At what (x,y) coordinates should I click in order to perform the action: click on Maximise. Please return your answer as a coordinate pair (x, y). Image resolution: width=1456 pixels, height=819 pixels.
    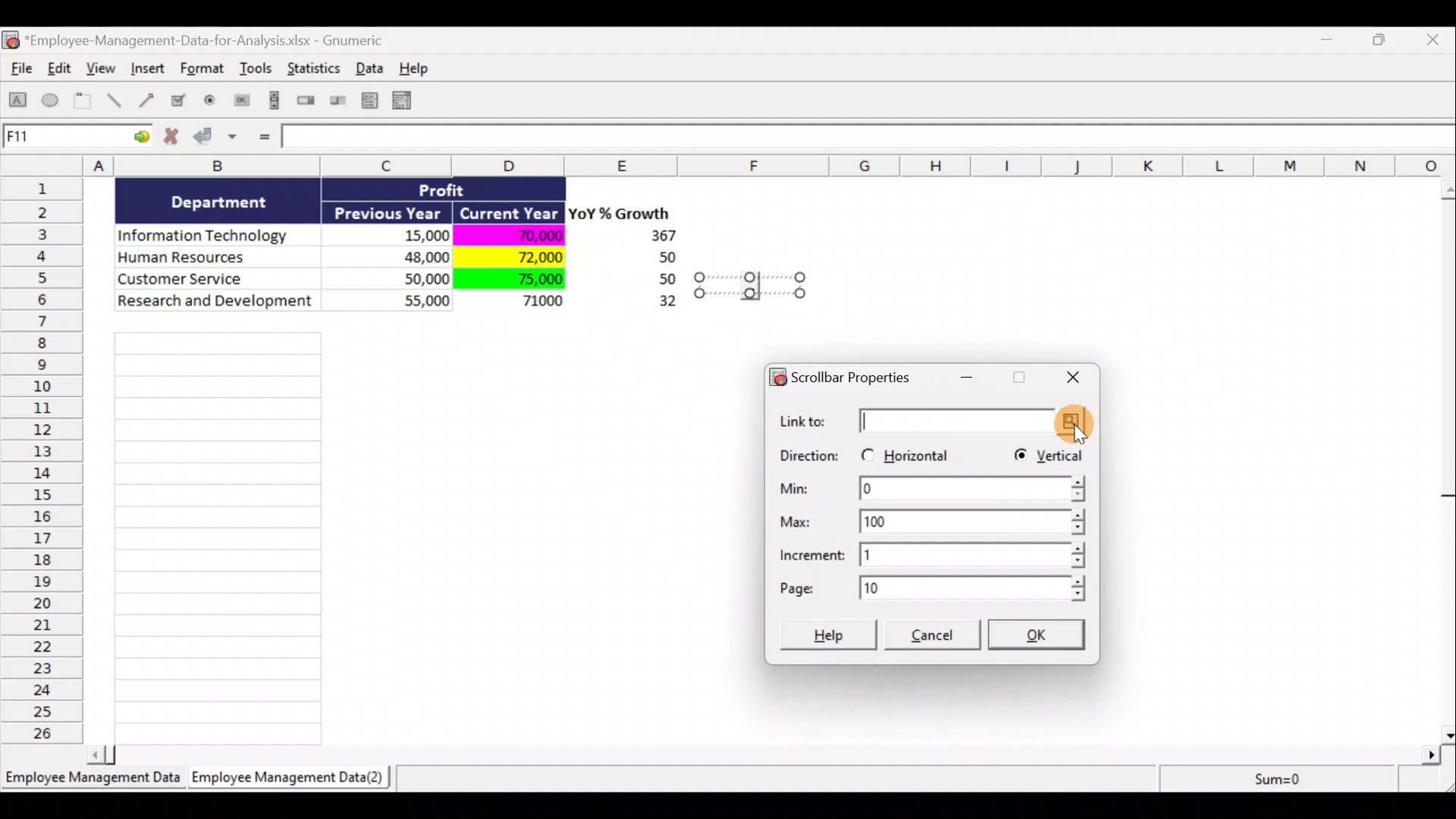
    Looking at the image, I should click on (1018, 379).